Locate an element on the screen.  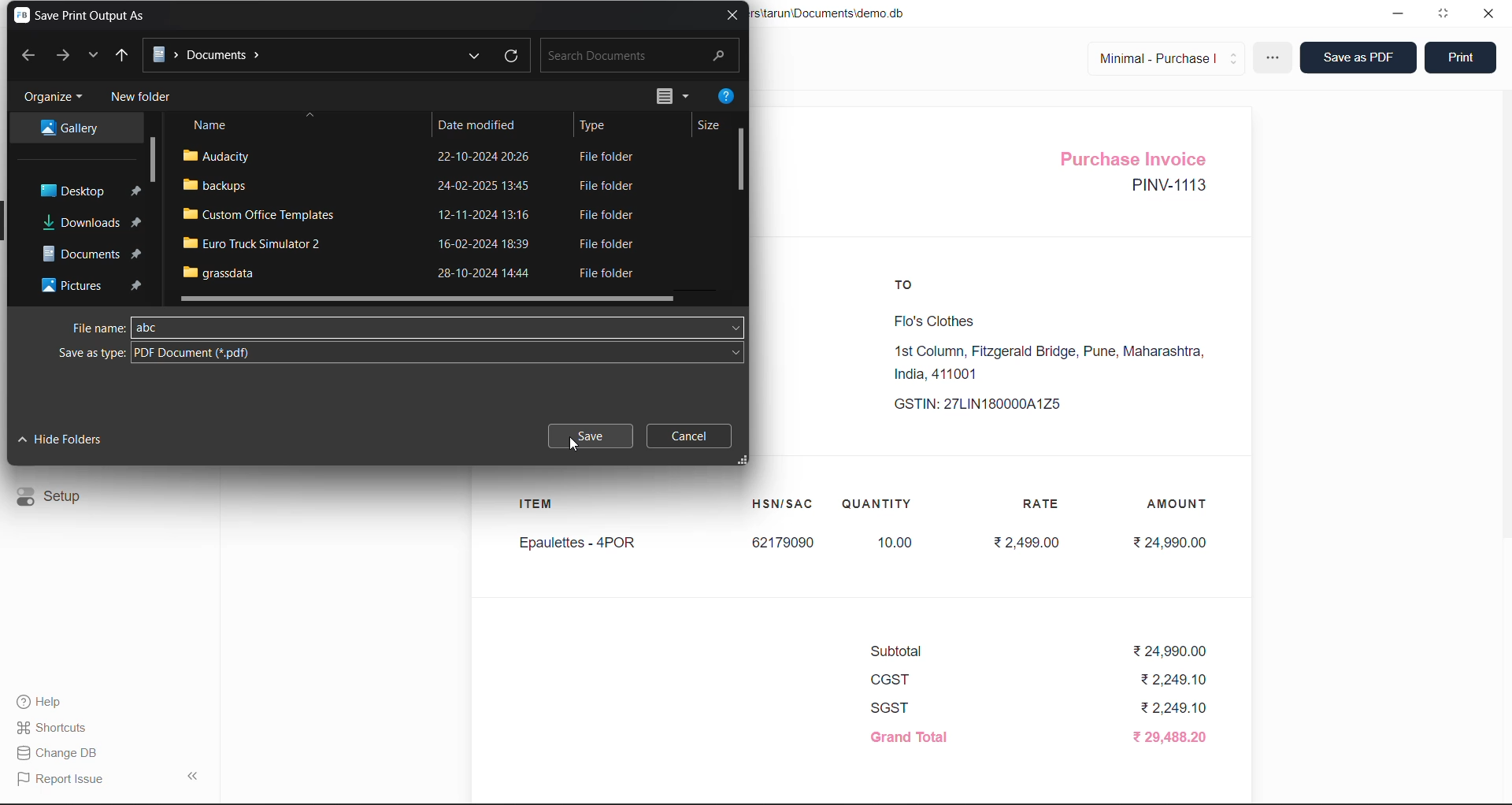
₹2,499.00 is located at coordinates (1031, 543).